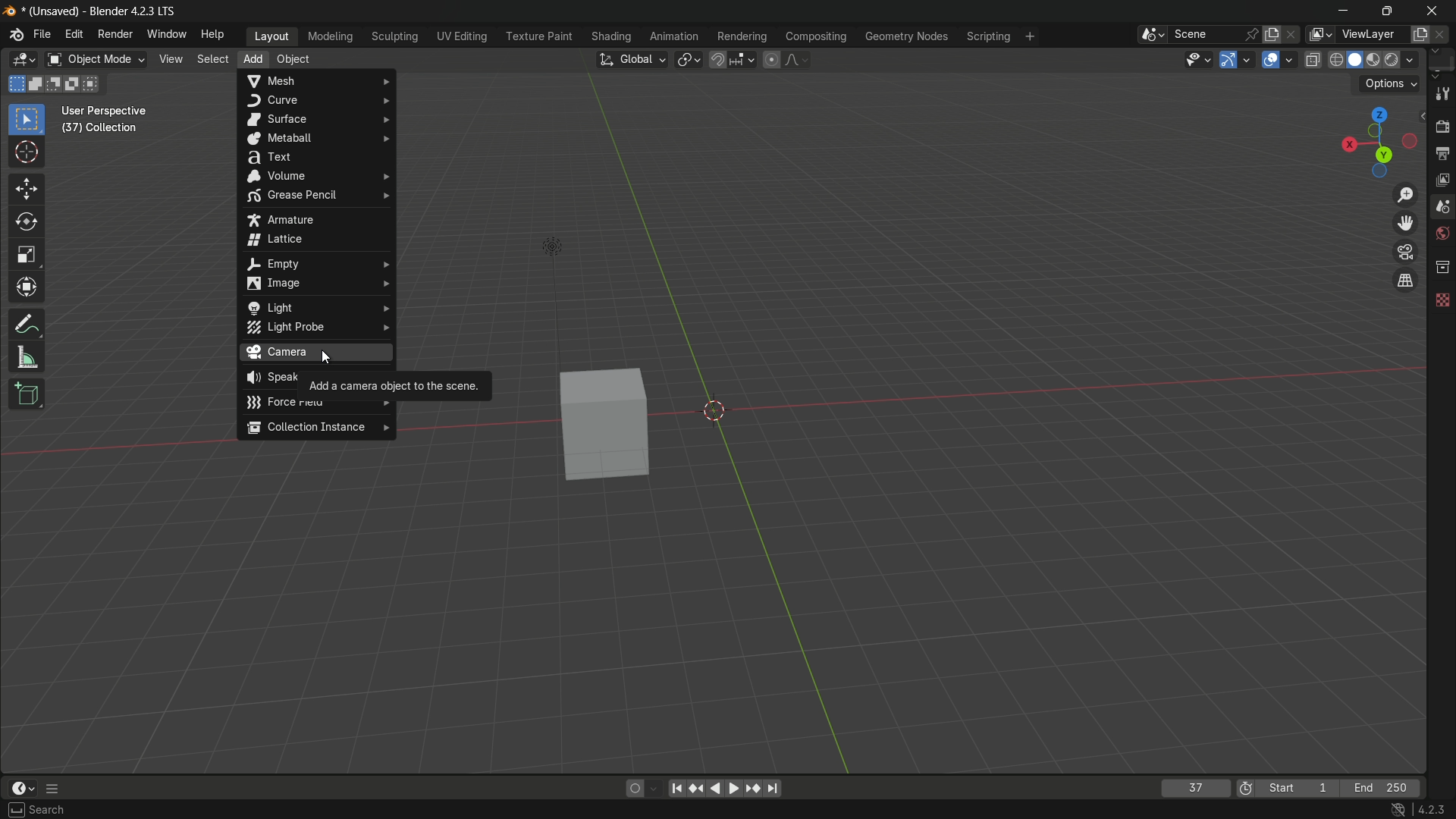 The width and height of the screenshot is (1456, 819). I want to click on move the view, so click(1405, 224).